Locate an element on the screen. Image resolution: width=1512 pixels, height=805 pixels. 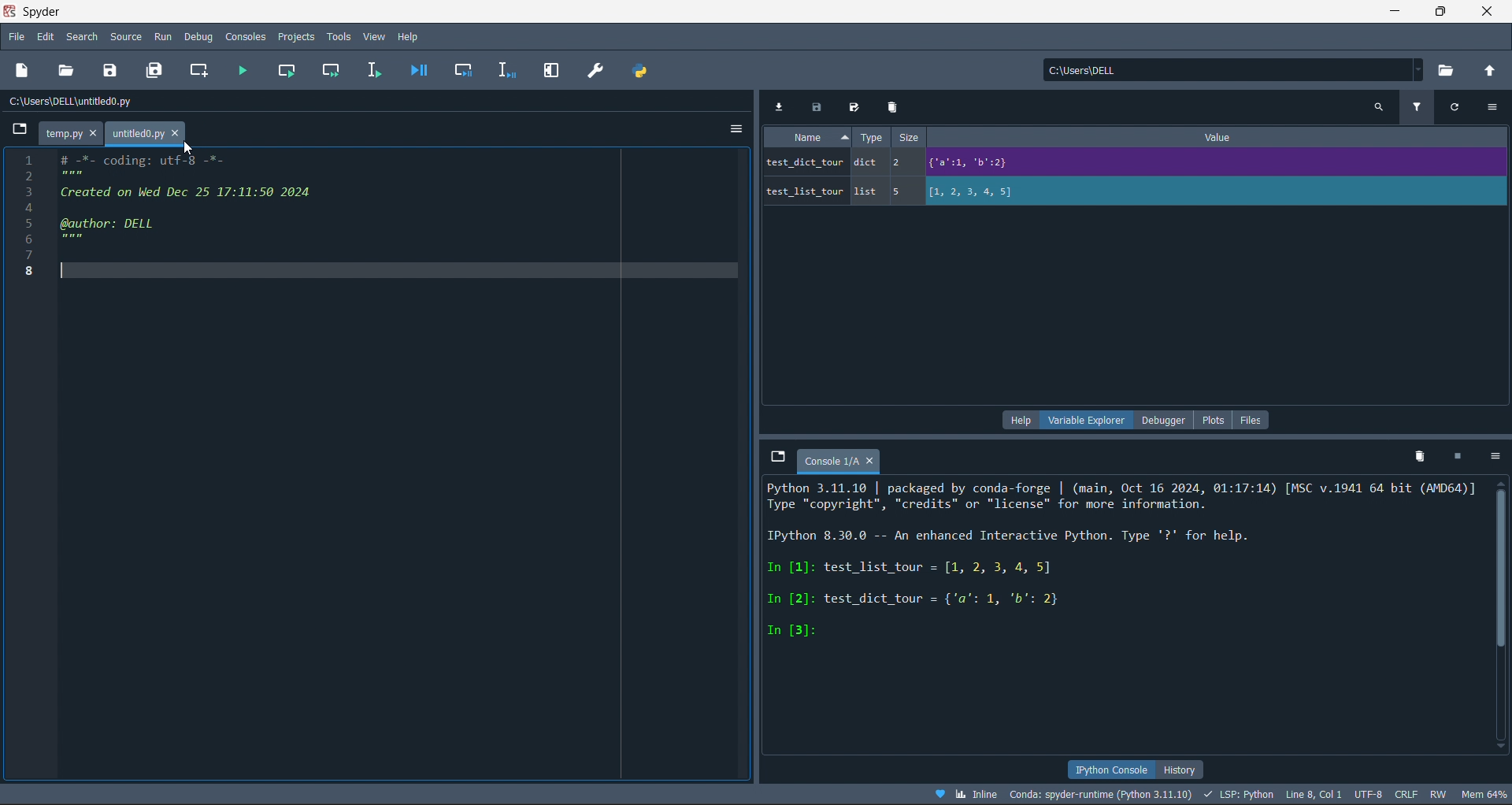
refresh is located at coordinates (1462, 109).